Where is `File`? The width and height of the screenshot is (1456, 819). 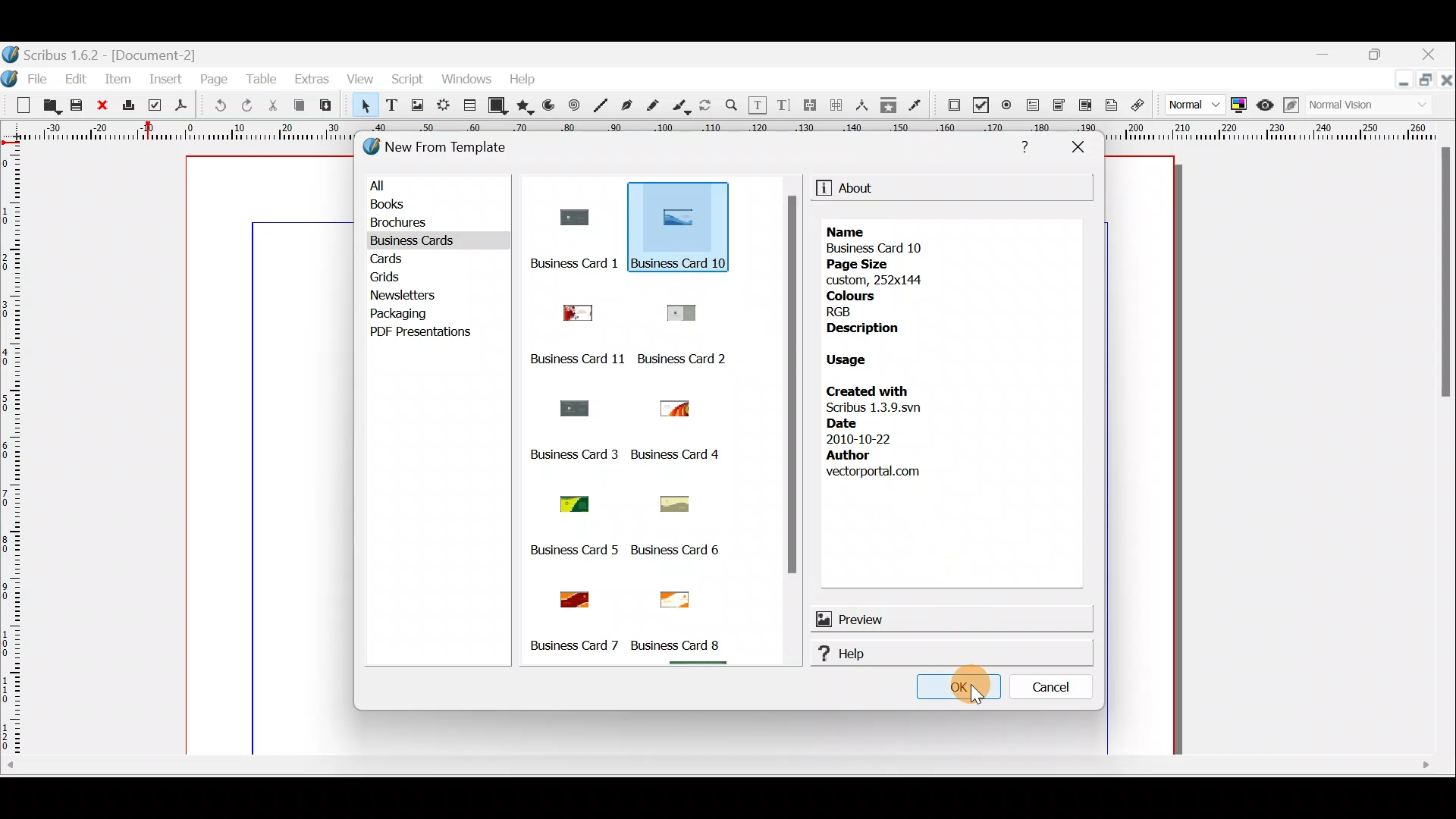
File is located at coordinates (27, 77).